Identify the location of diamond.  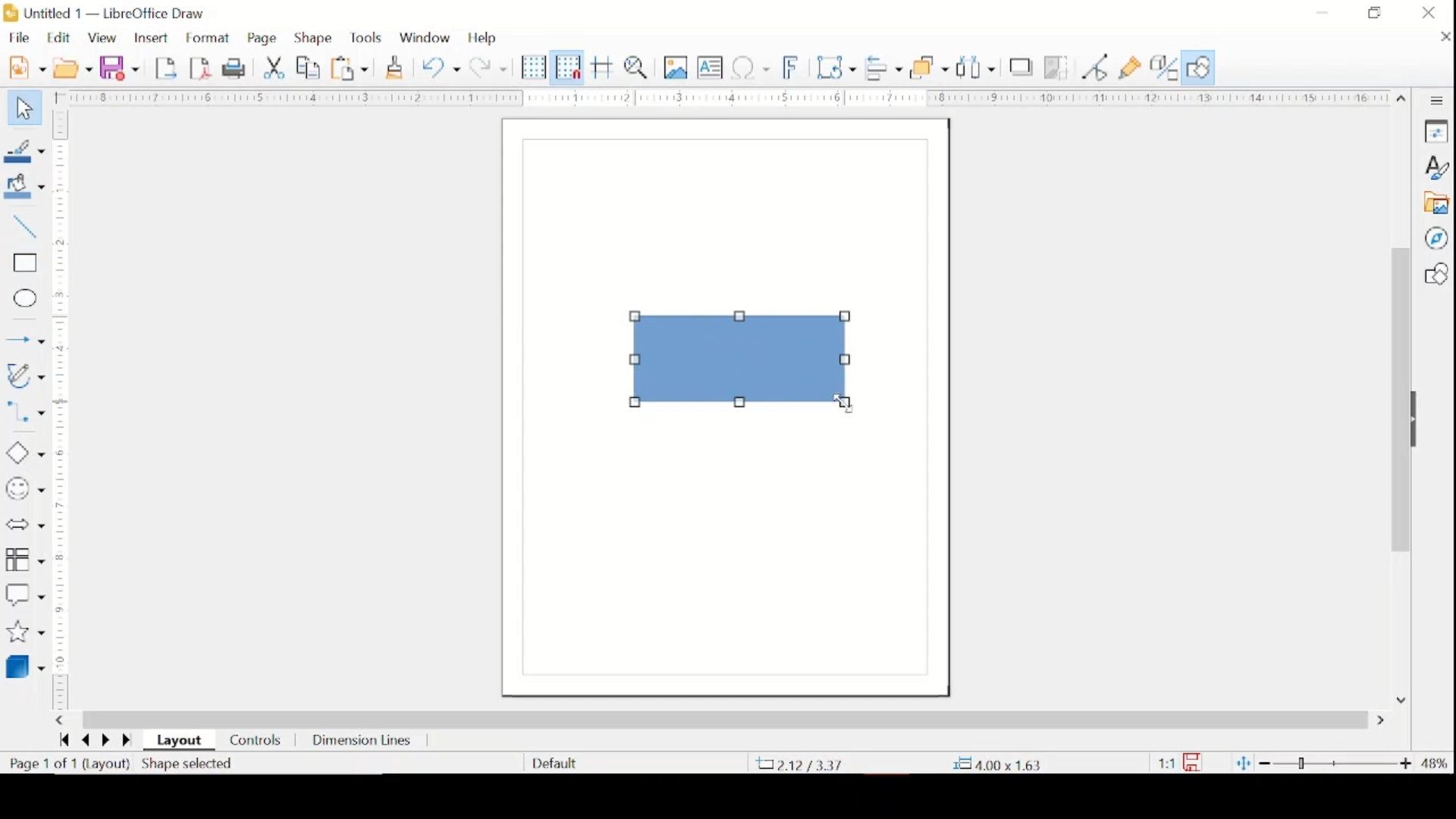
(24, 453).